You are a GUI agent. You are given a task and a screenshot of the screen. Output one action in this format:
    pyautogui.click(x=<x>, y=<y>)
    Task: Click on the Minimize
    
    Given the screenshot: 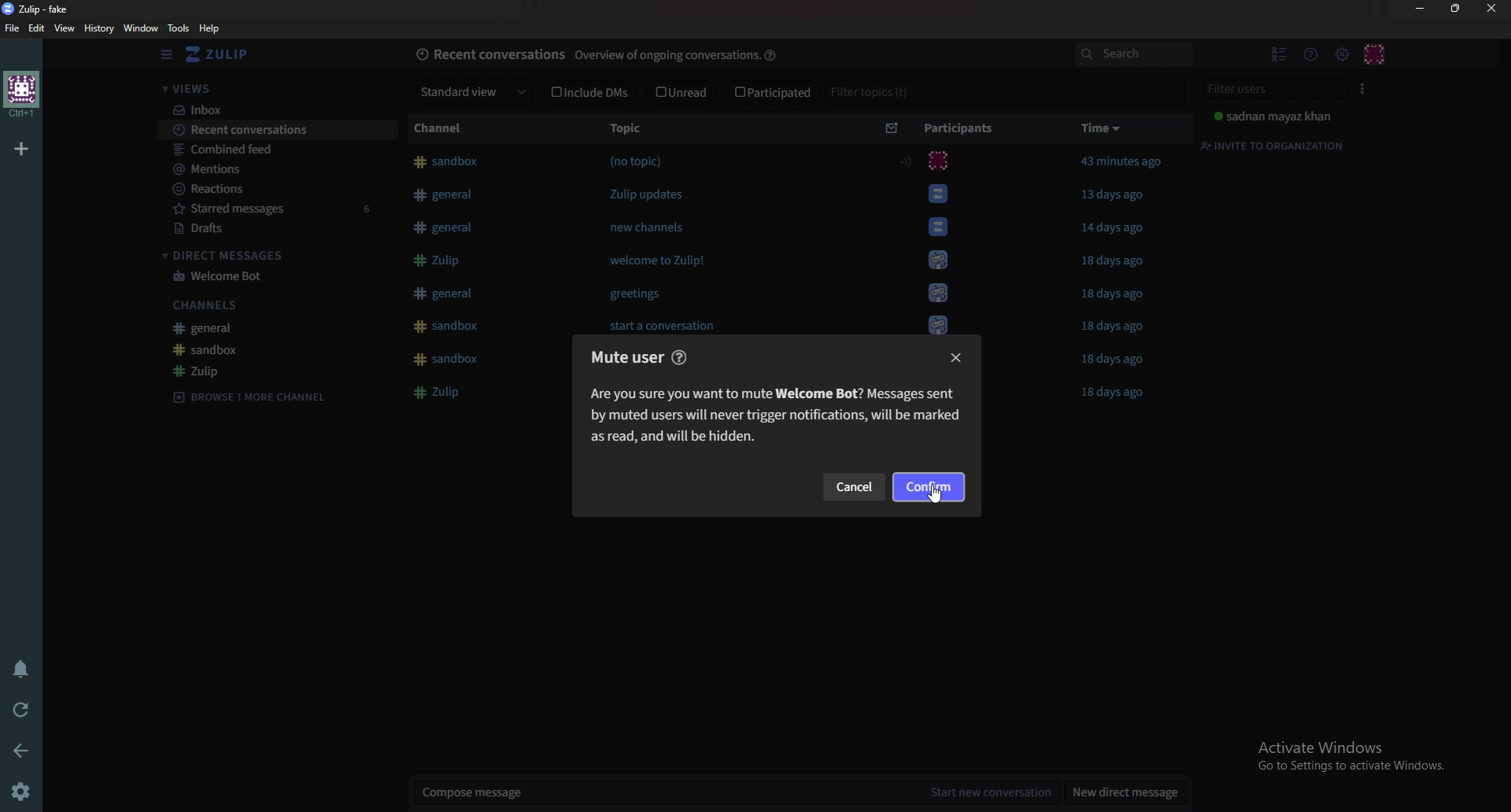 What is the action you would take?
    pyautogui.click(x=1423, y=9)
    